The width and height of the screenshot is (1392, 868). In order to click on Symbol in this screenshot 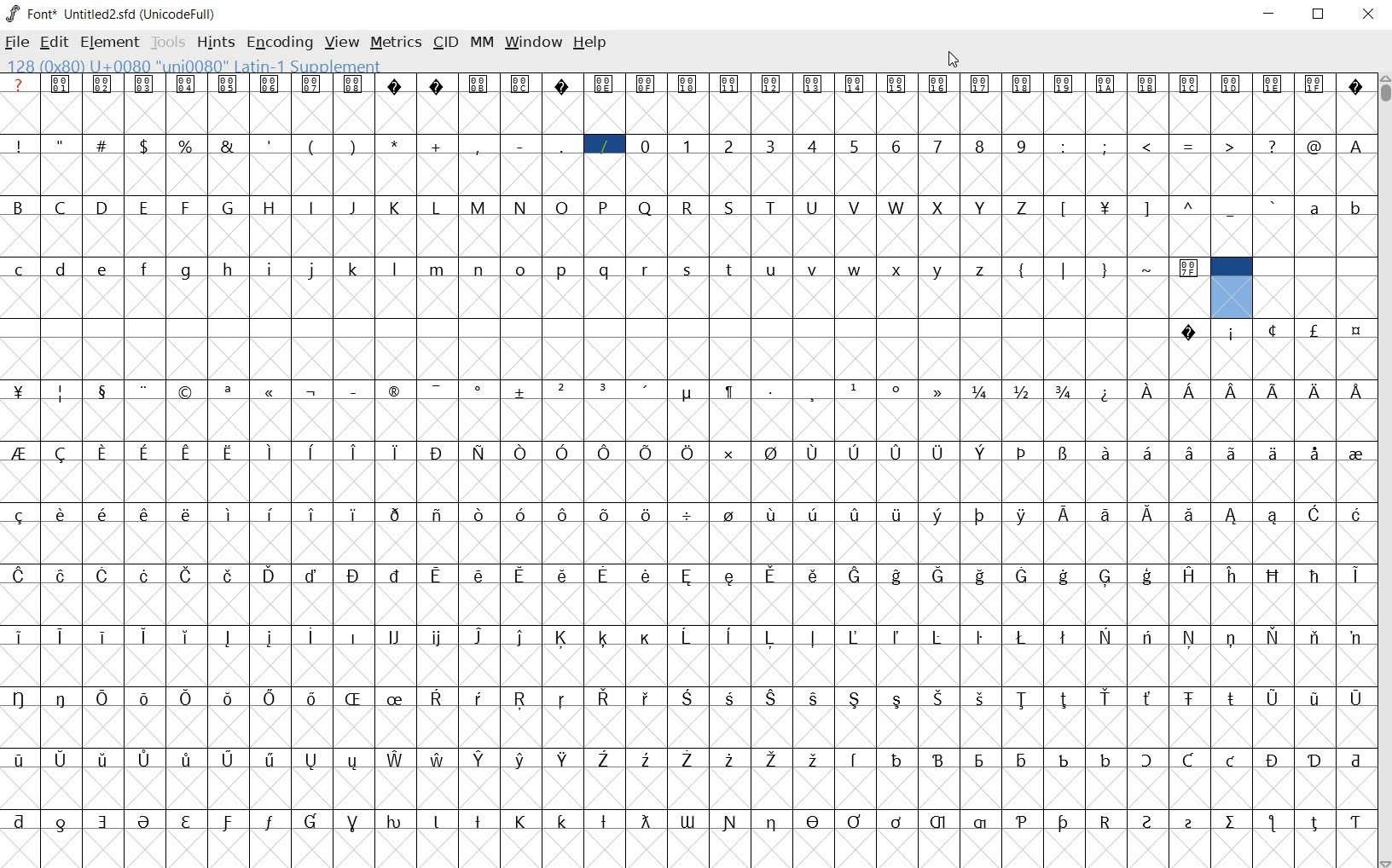, I will do `click(689, 454)`.